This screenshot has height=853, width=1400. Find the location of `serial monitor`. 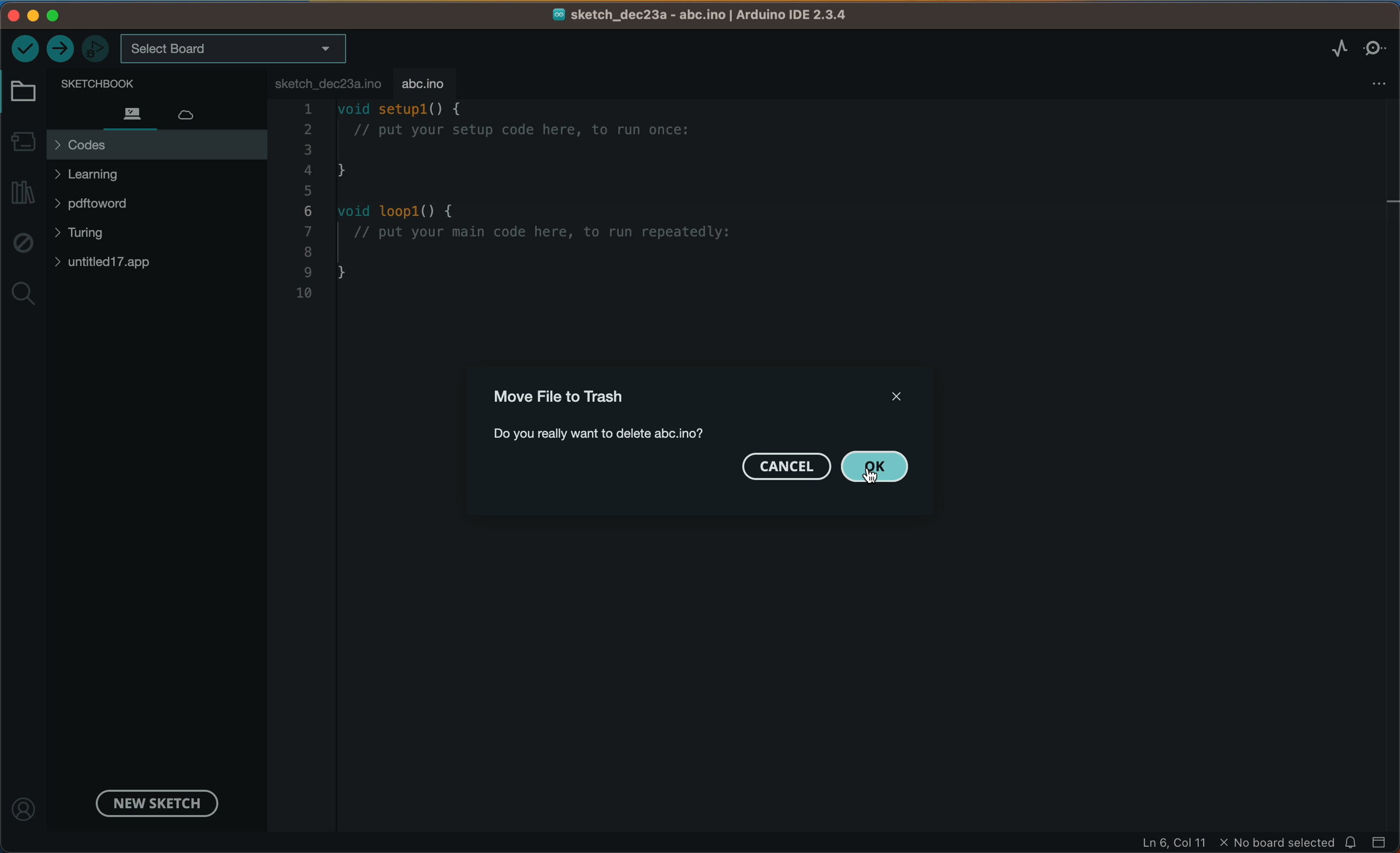

serial monitor is located at coordinates (1377, 48).